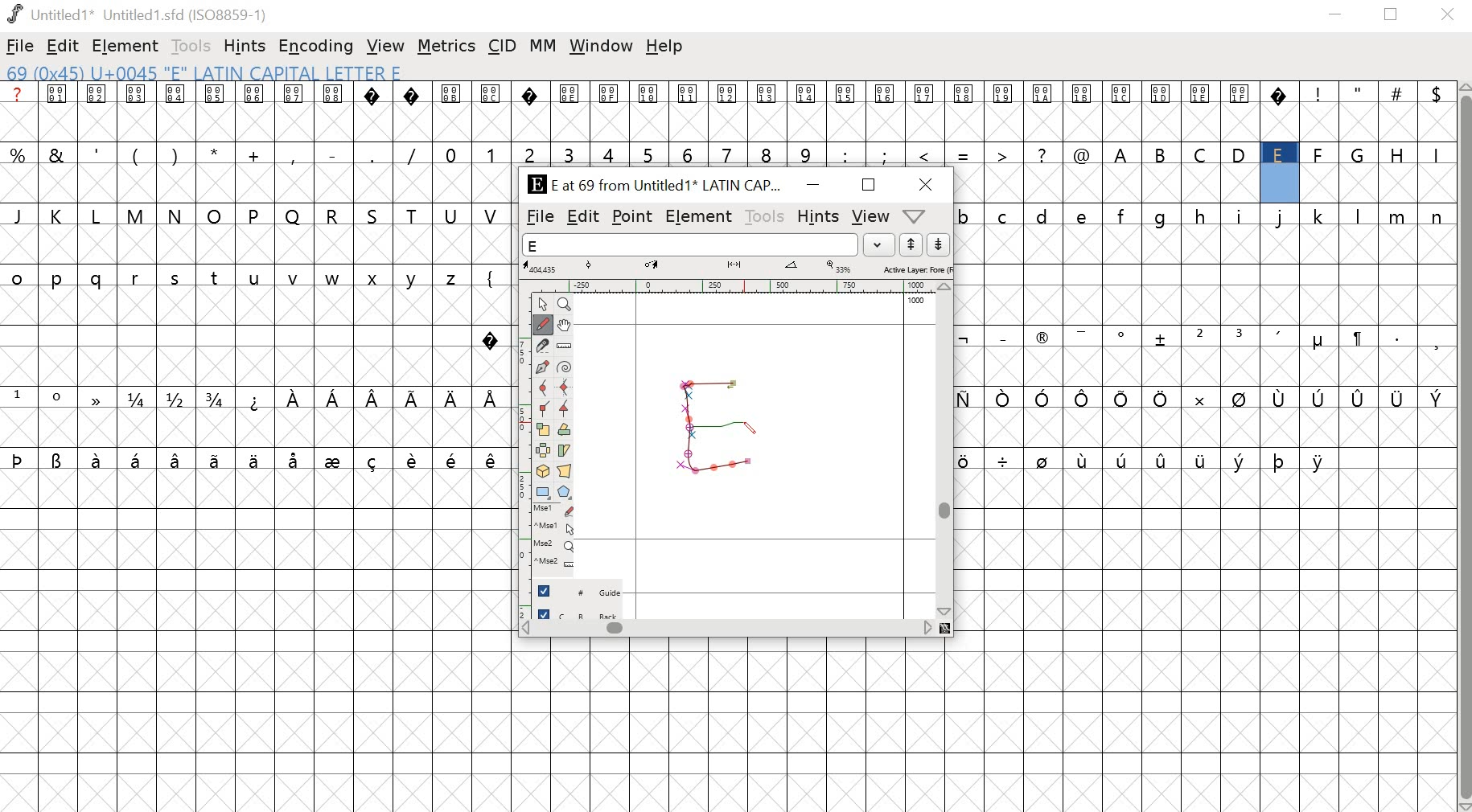 Image resolution: width=1472 pixels, height=812 pixels. I want to click on Scale, so click(544, 430).